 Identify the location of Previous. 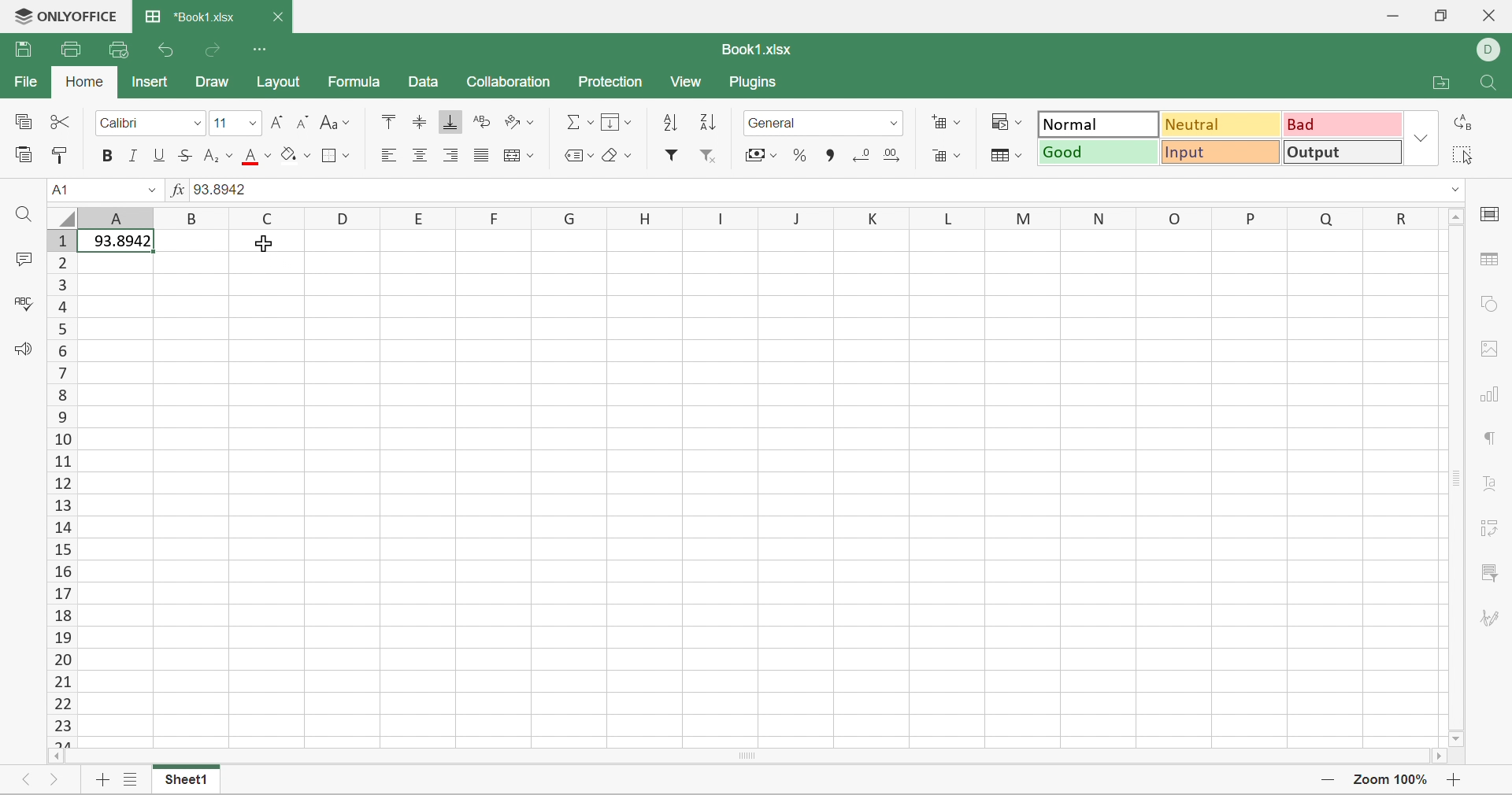
(28, 780).